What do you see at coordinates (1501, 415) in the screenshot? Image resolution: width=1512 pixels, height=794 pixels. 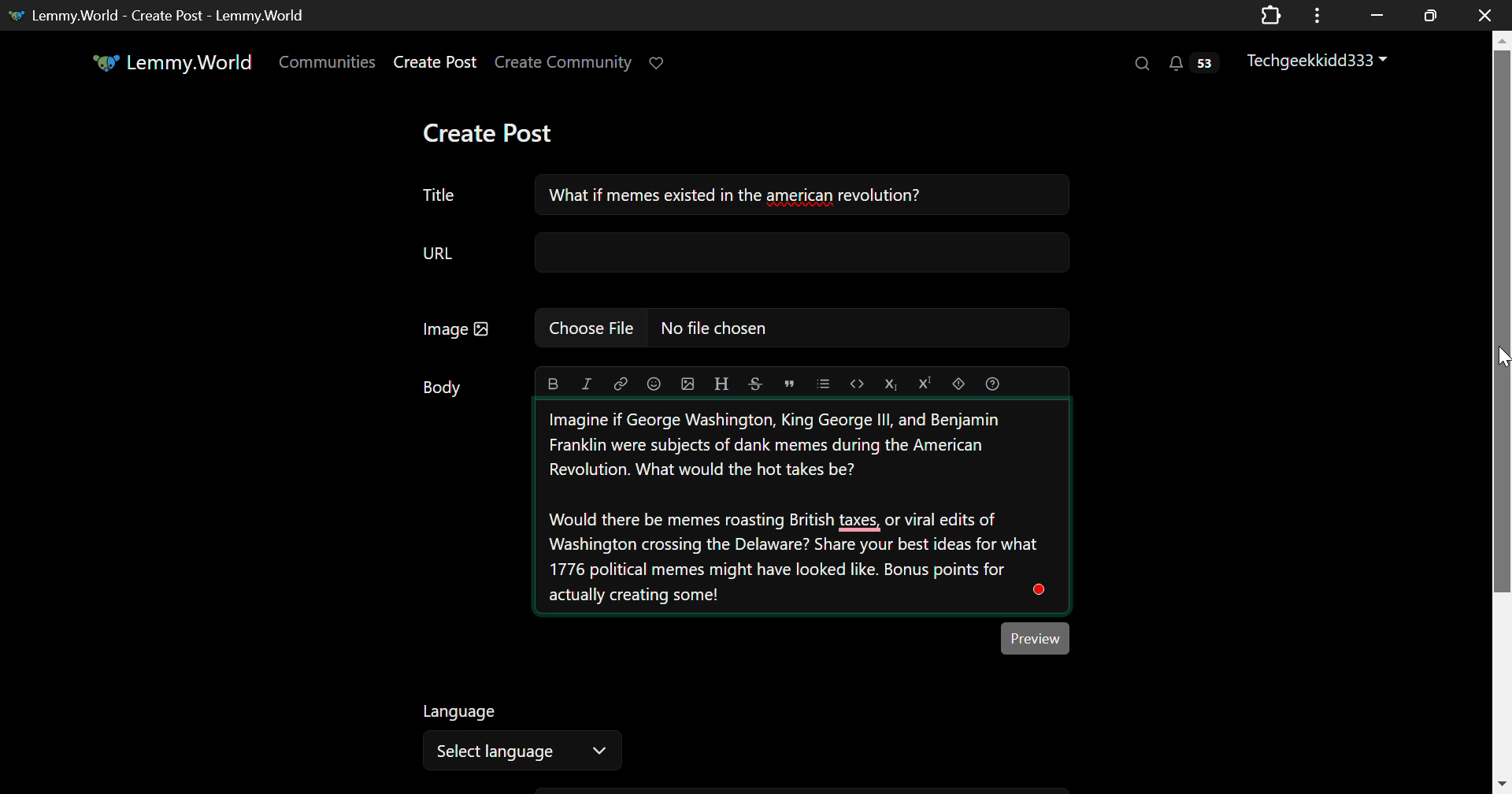 I see `Vertical Scroll Bar` at bounding box center [1501, 415].